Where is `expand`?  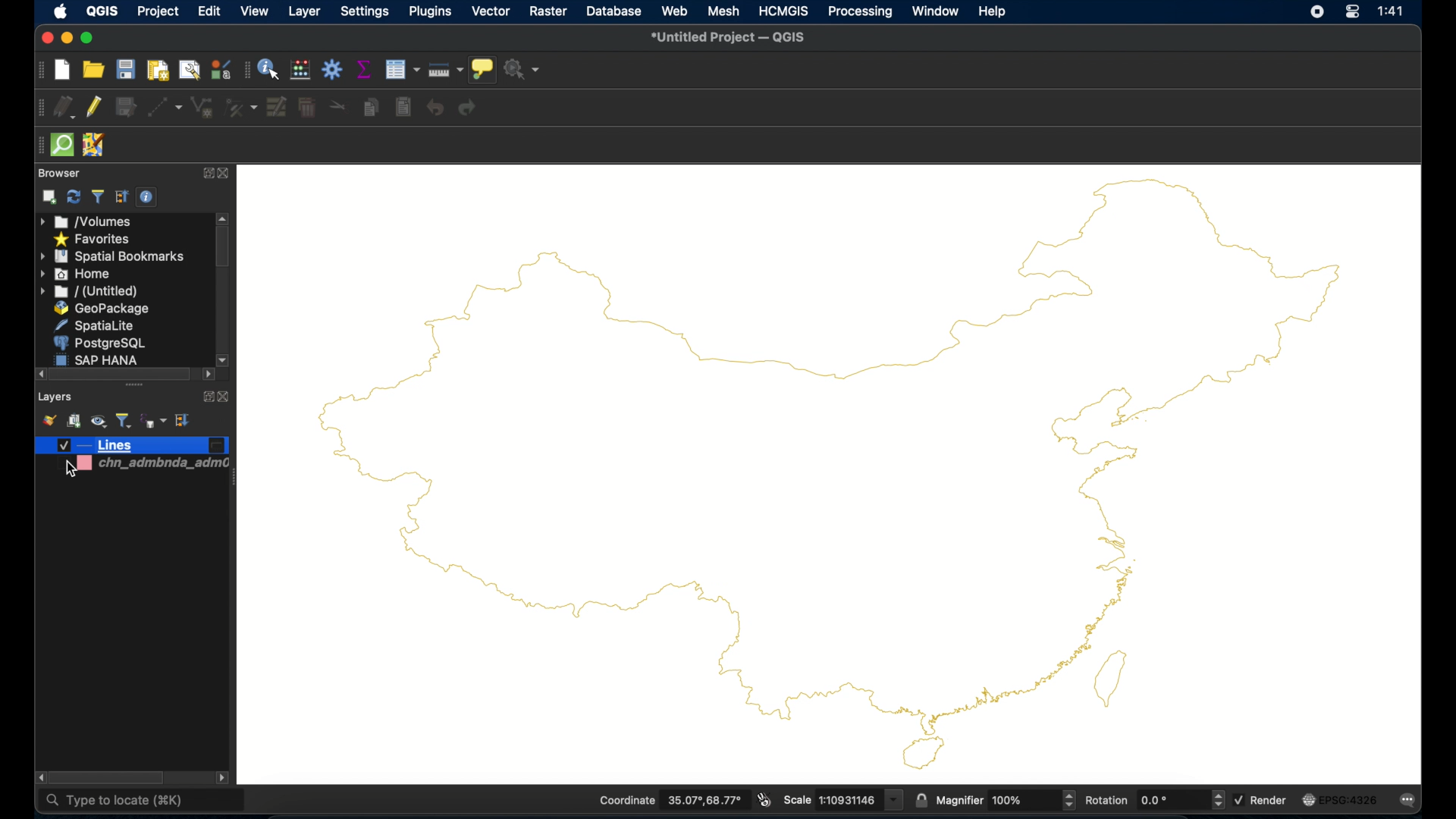 expand is located at coordinates (204, 174).